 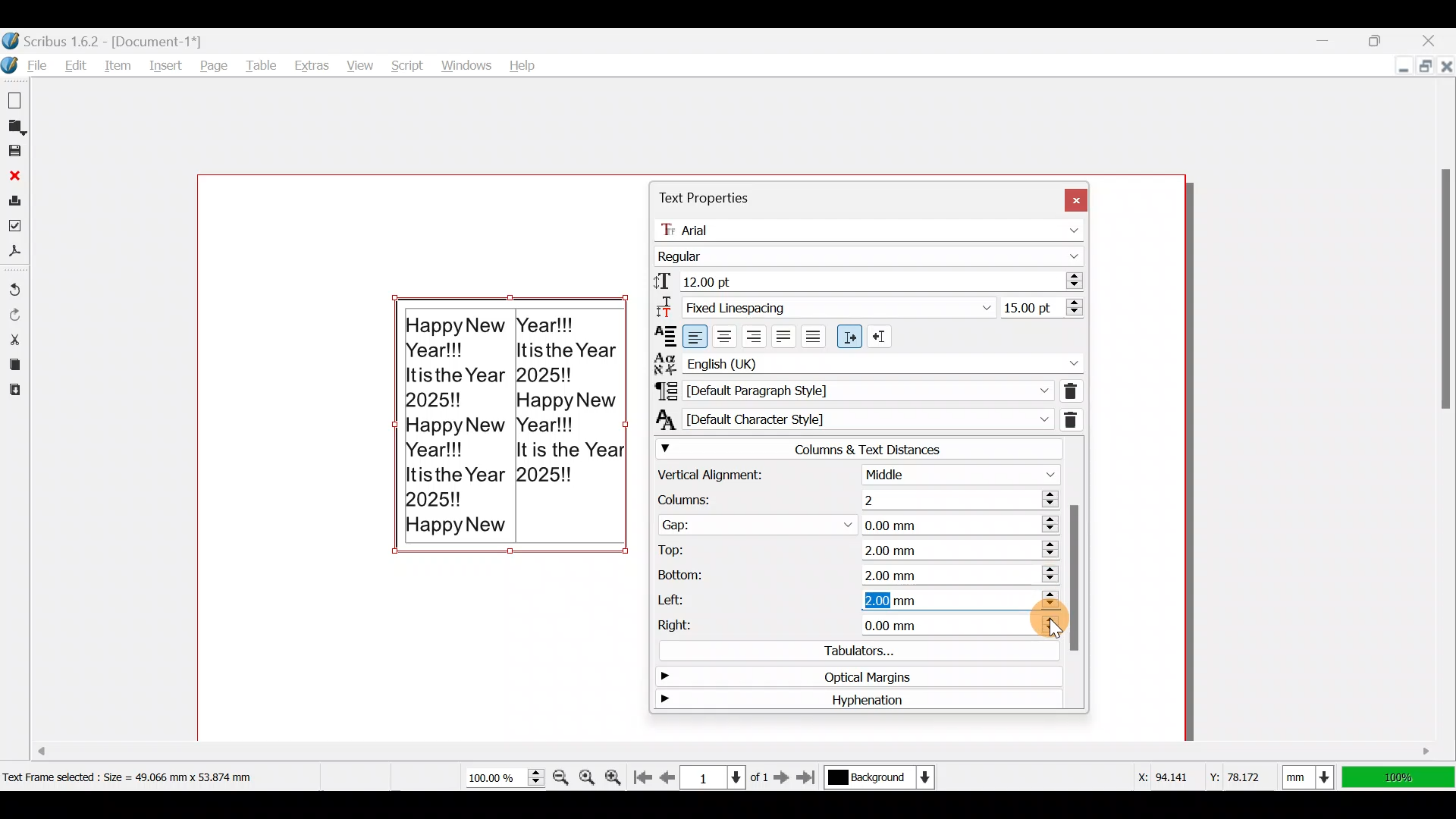 What do you see at coordinates (1437, 37) in the screenshot?
I see `Close` at bounding box center [1437, 37].